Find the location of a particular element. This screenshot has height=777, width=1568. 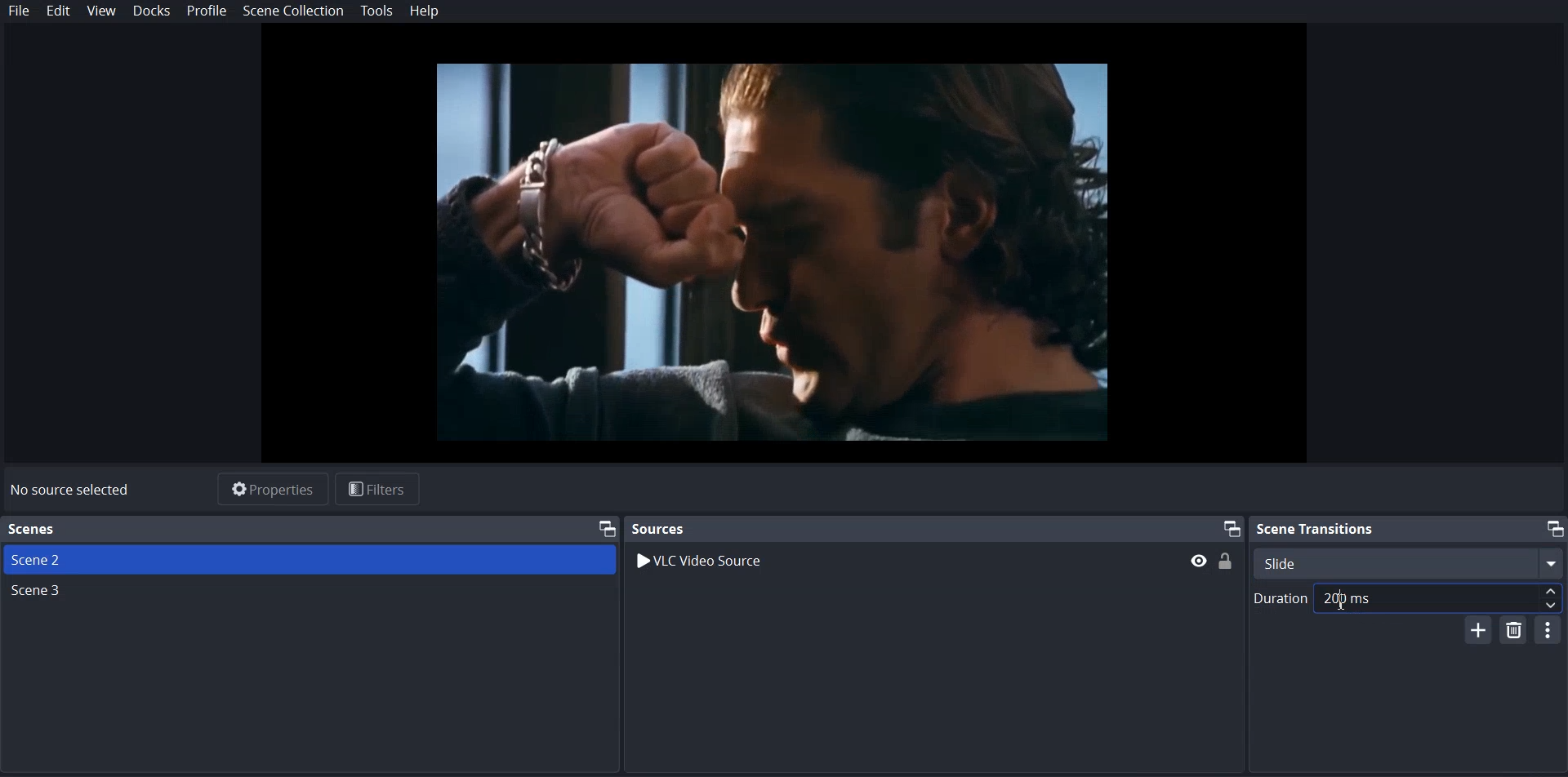

Scene Collection is located at coordinates (294, 12).